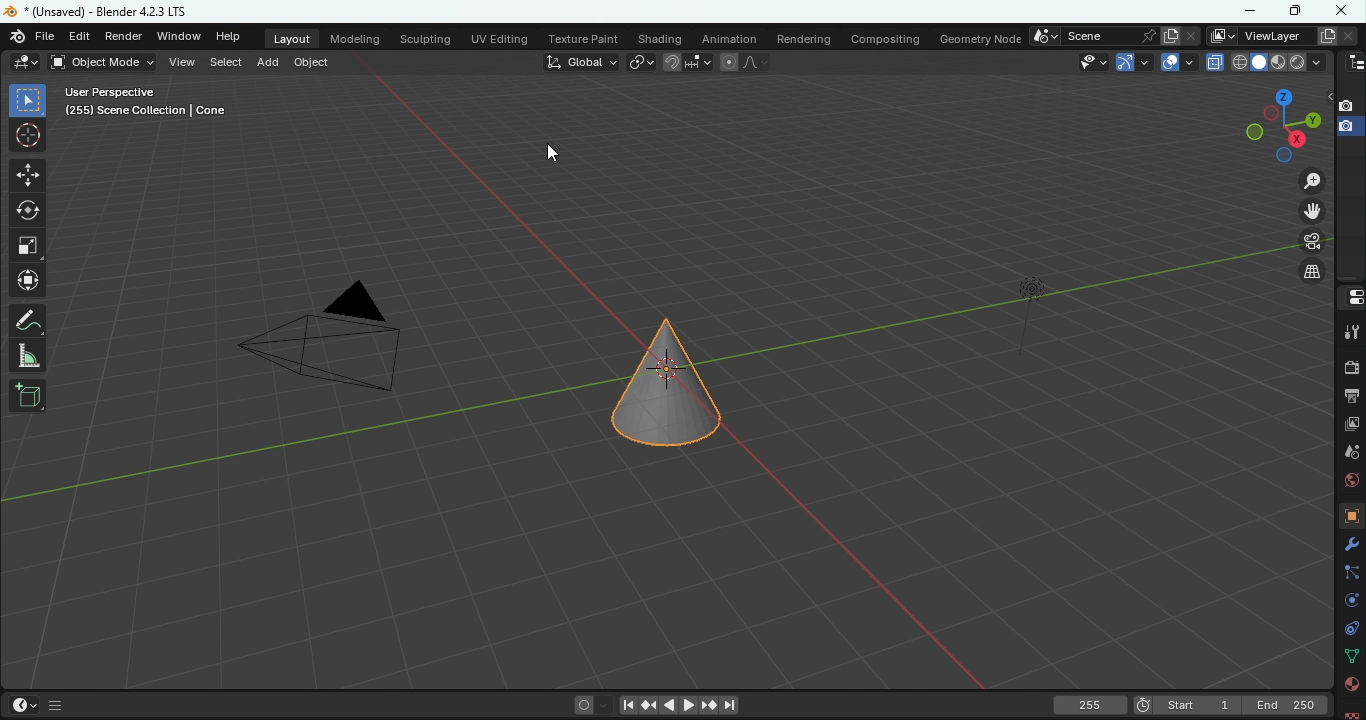 The image size is (1366, 720). What do you see at coordinates (28, 282) in the screenshot?
I see `Transform` at bounding box center [28, 282].